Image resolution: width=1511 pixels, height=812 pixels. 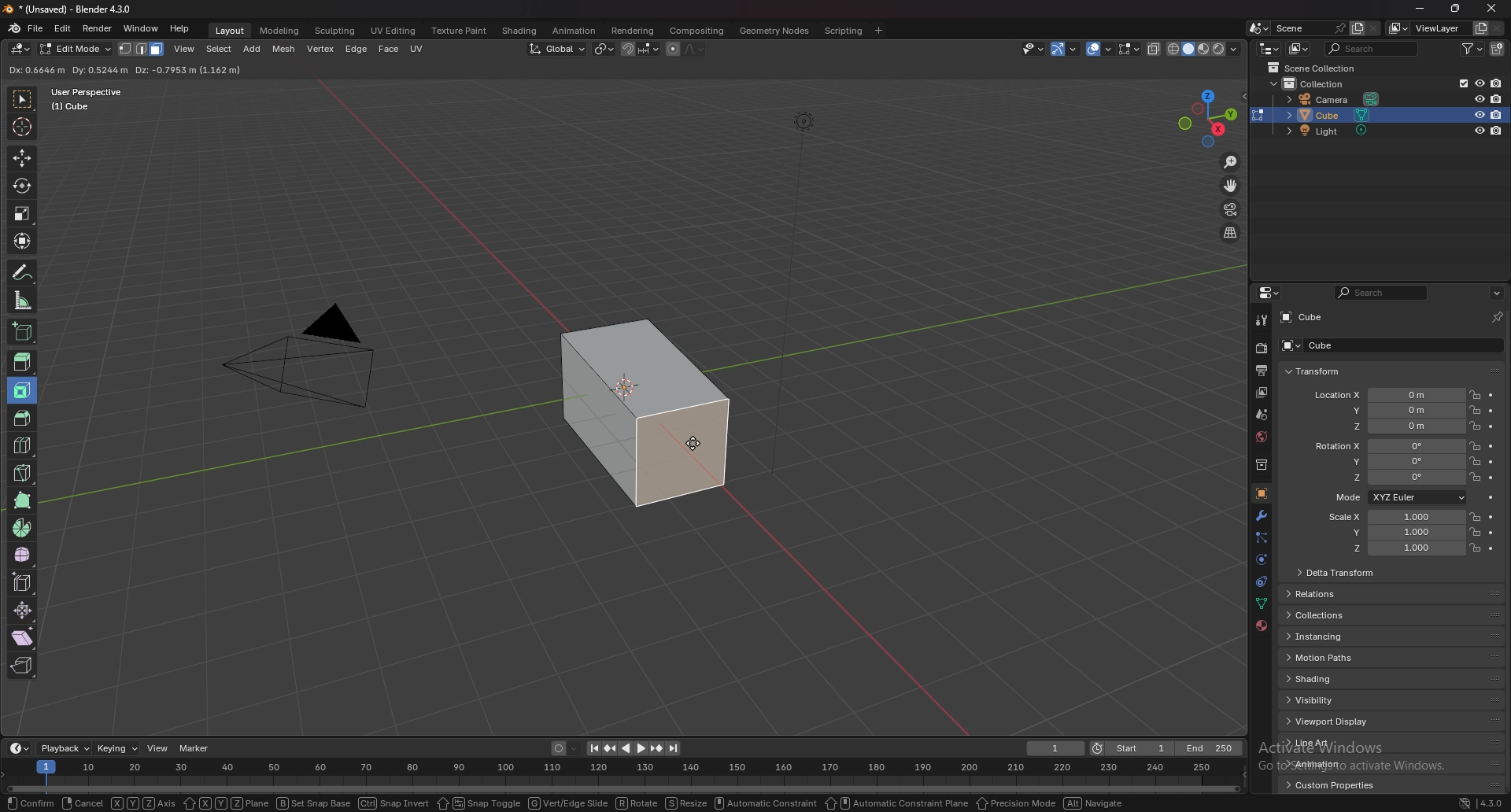 What do you see at coordinates (1475, 548) in the screenshot?
I see `lock` at bounding box center [1475, 548].